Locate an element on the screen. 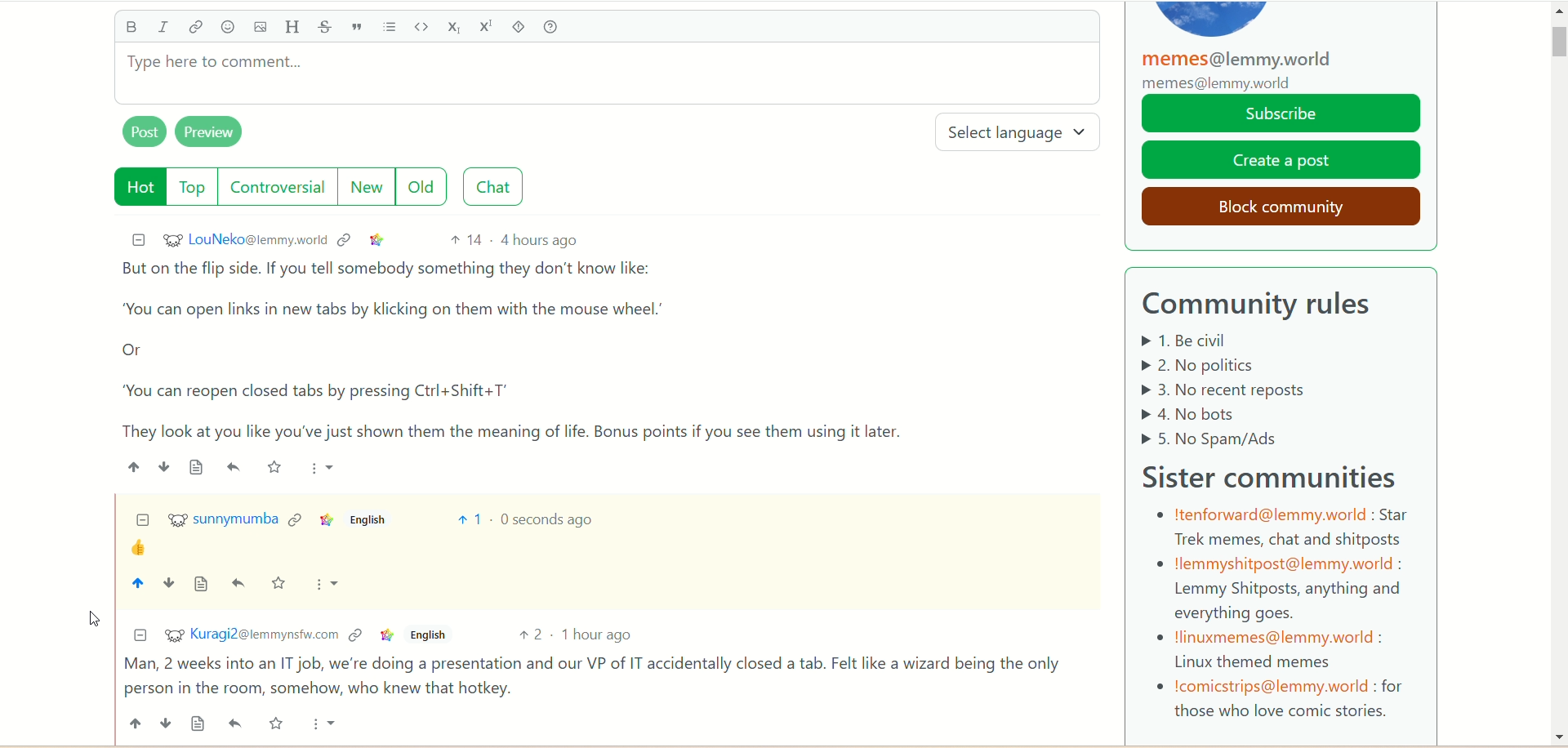 This screenshot has height=748, width=1568. link is located at coordinates (198, 28).